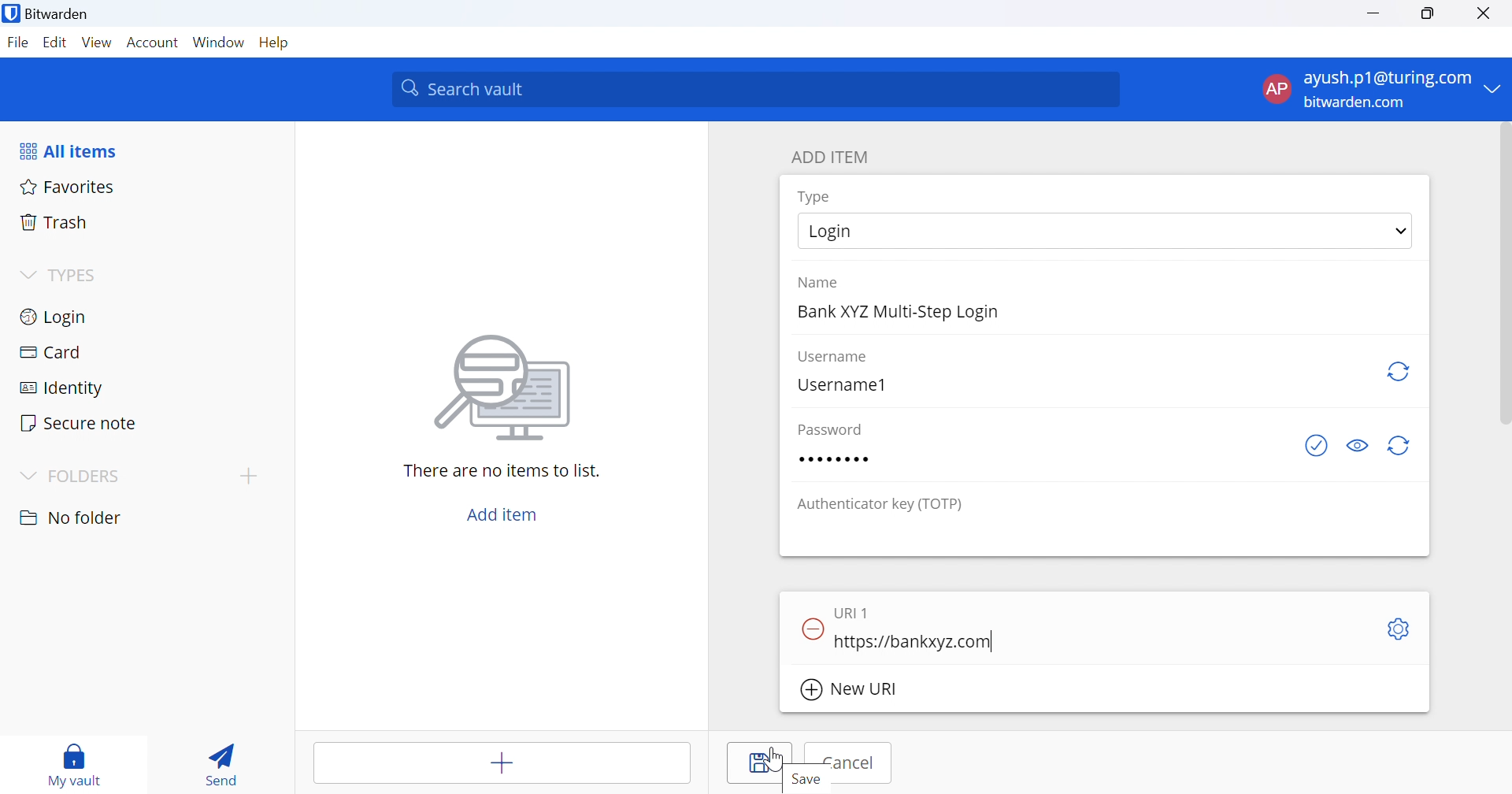 The image size is (1512, 794). Describe the element at coordinates (1357, 446) in the screenshot. I see `Toggle visibility` at that location.